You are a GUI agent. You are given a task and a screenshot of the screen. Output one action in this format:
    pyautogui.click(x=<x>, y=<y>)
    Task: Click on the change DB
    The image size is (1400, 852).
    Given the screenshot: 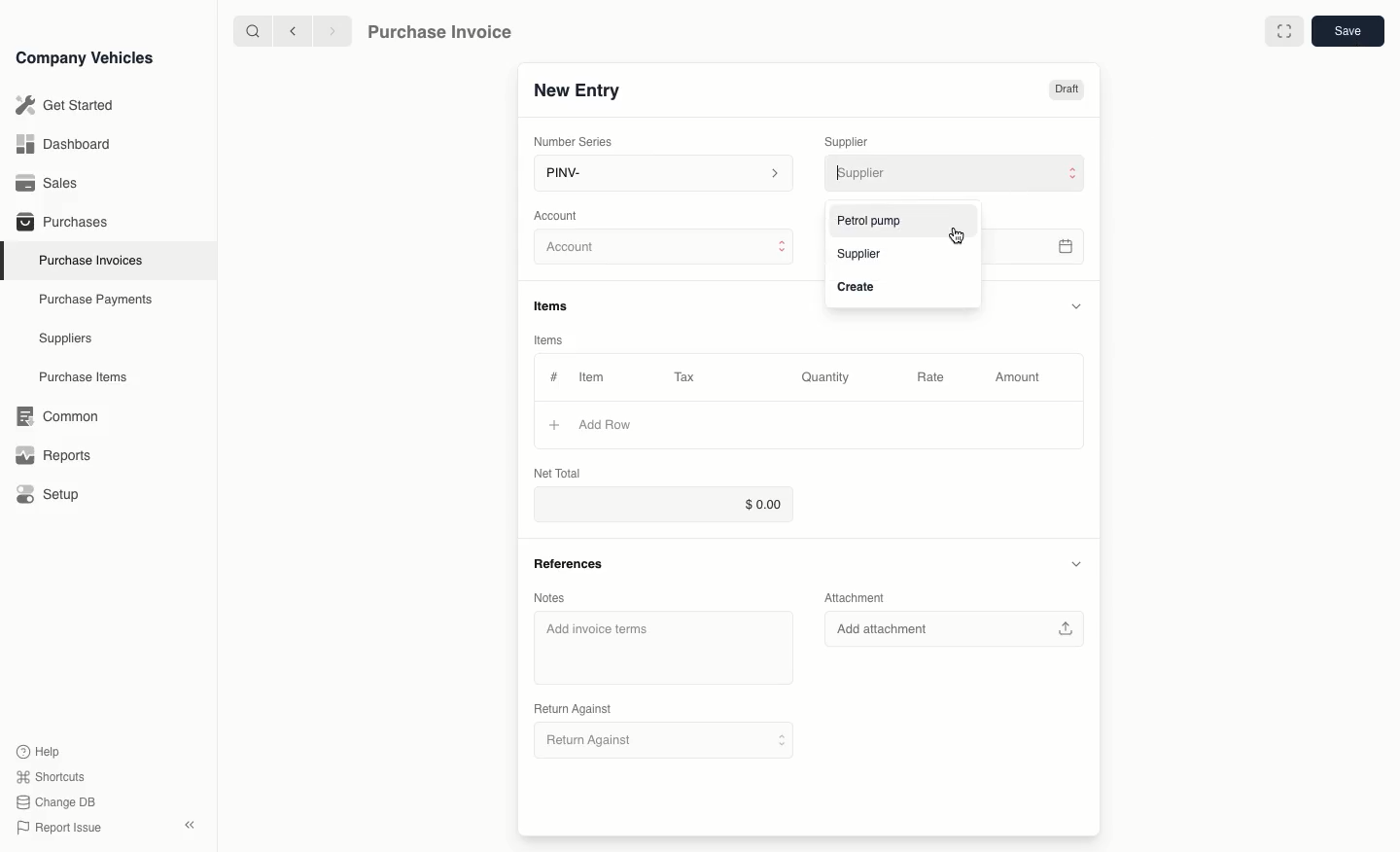 What is the action you would take?
    pyautogui.click(x=58, y=802)
    